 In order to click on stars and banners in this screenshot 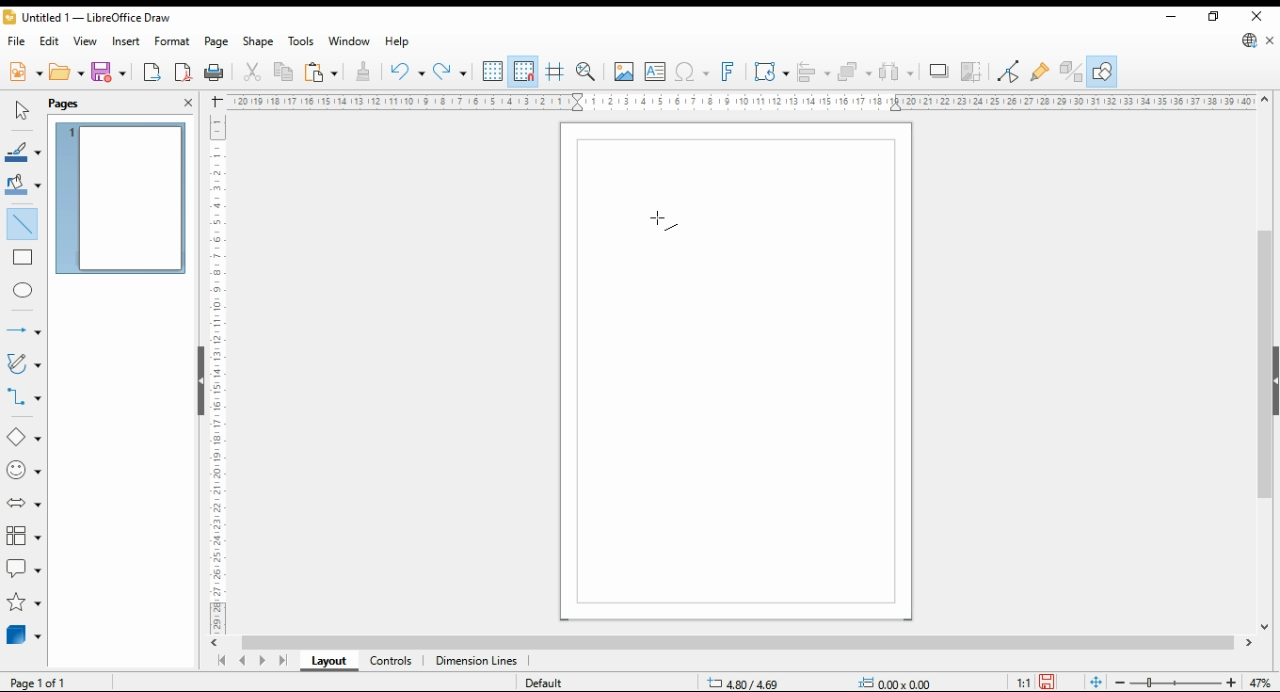, I will do `click(22, 603)`.